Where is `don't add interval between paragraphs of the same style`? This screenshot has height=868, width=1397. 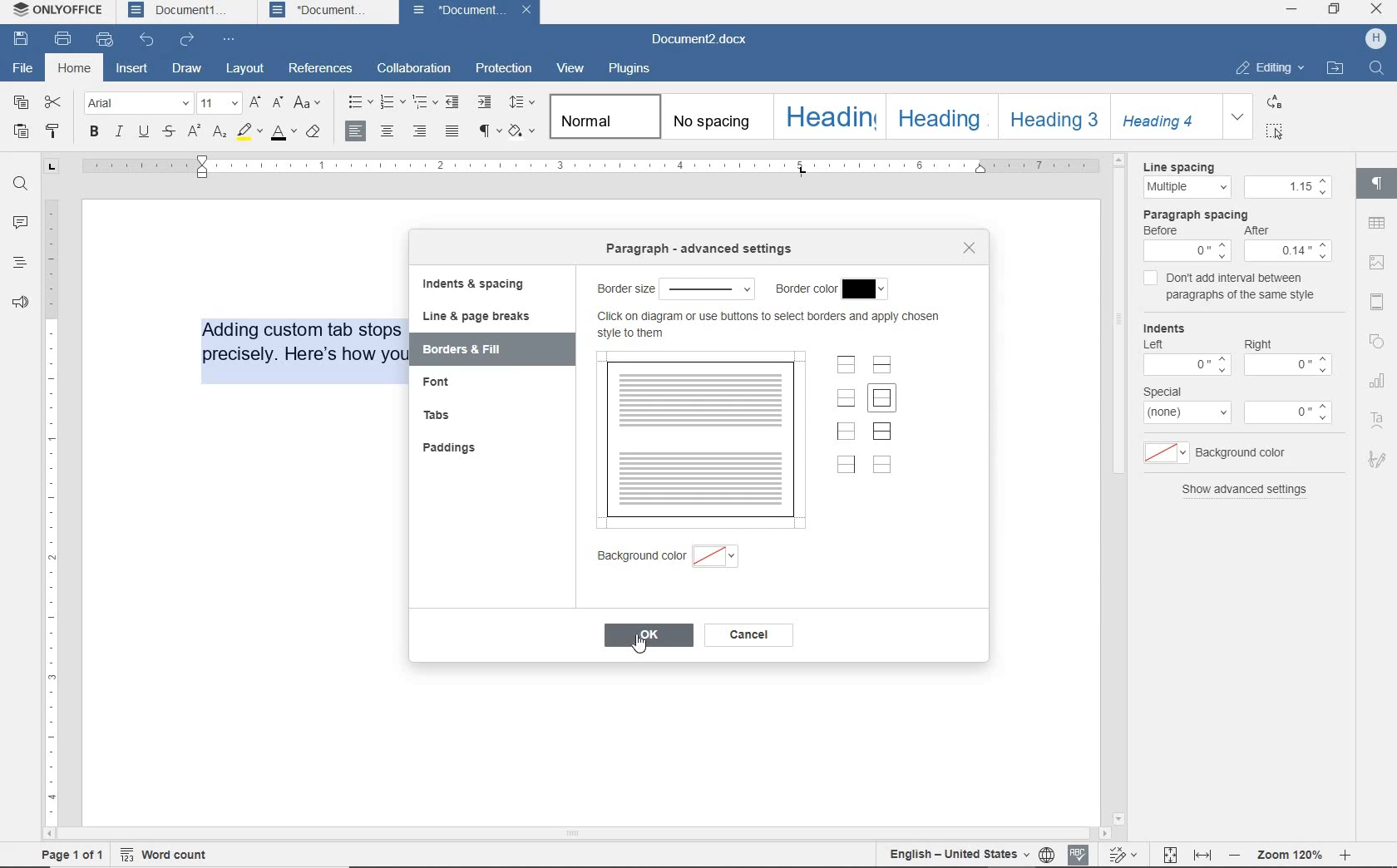
don't add interval between paragraphs of the same style is located at coordinates (1246, 287).